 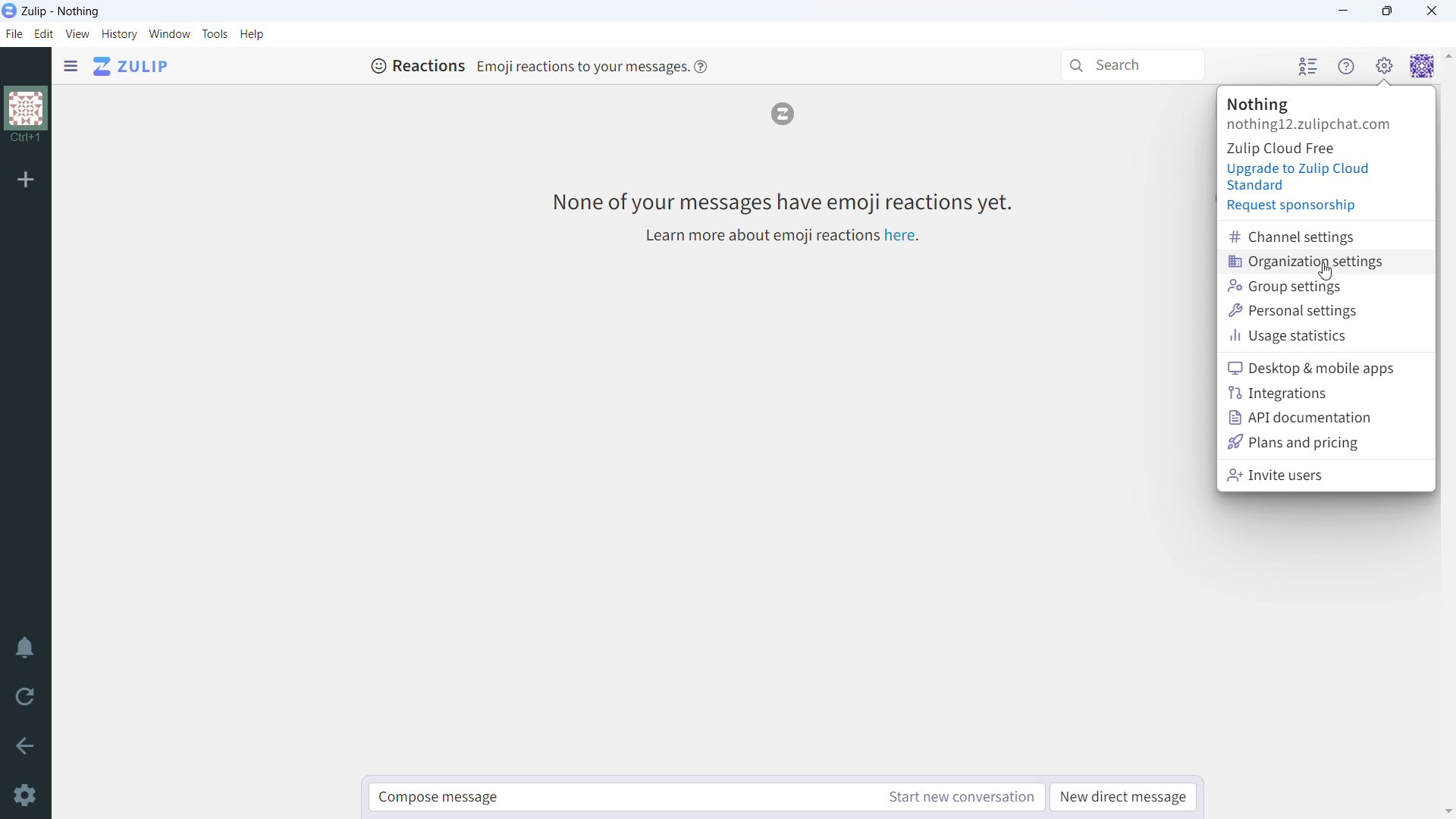 I want to click on cursor, so click(x=1326, y=272).